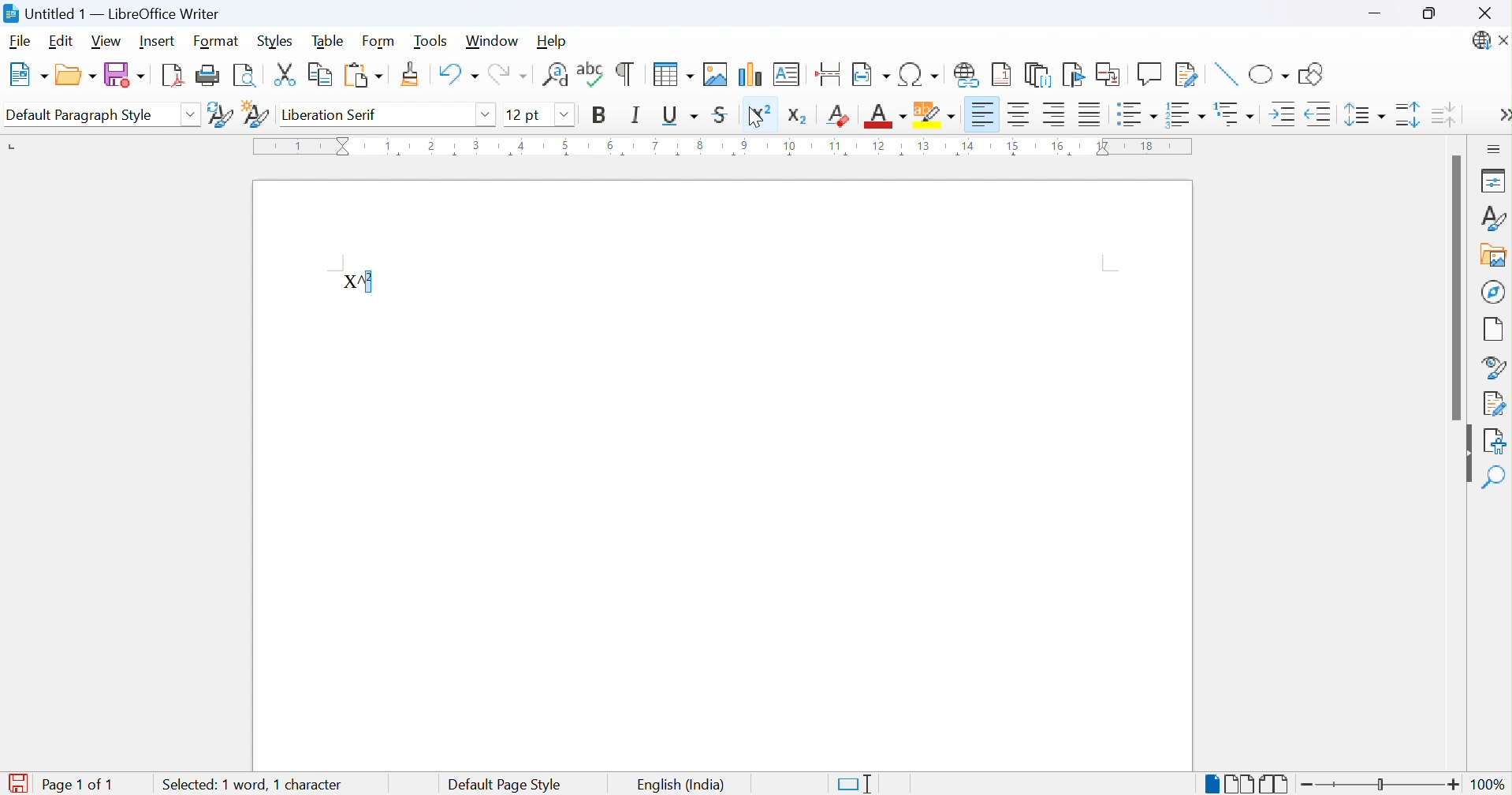 This screenshot has width=1512, height=795. I want to click on Window, so click(490, 42).